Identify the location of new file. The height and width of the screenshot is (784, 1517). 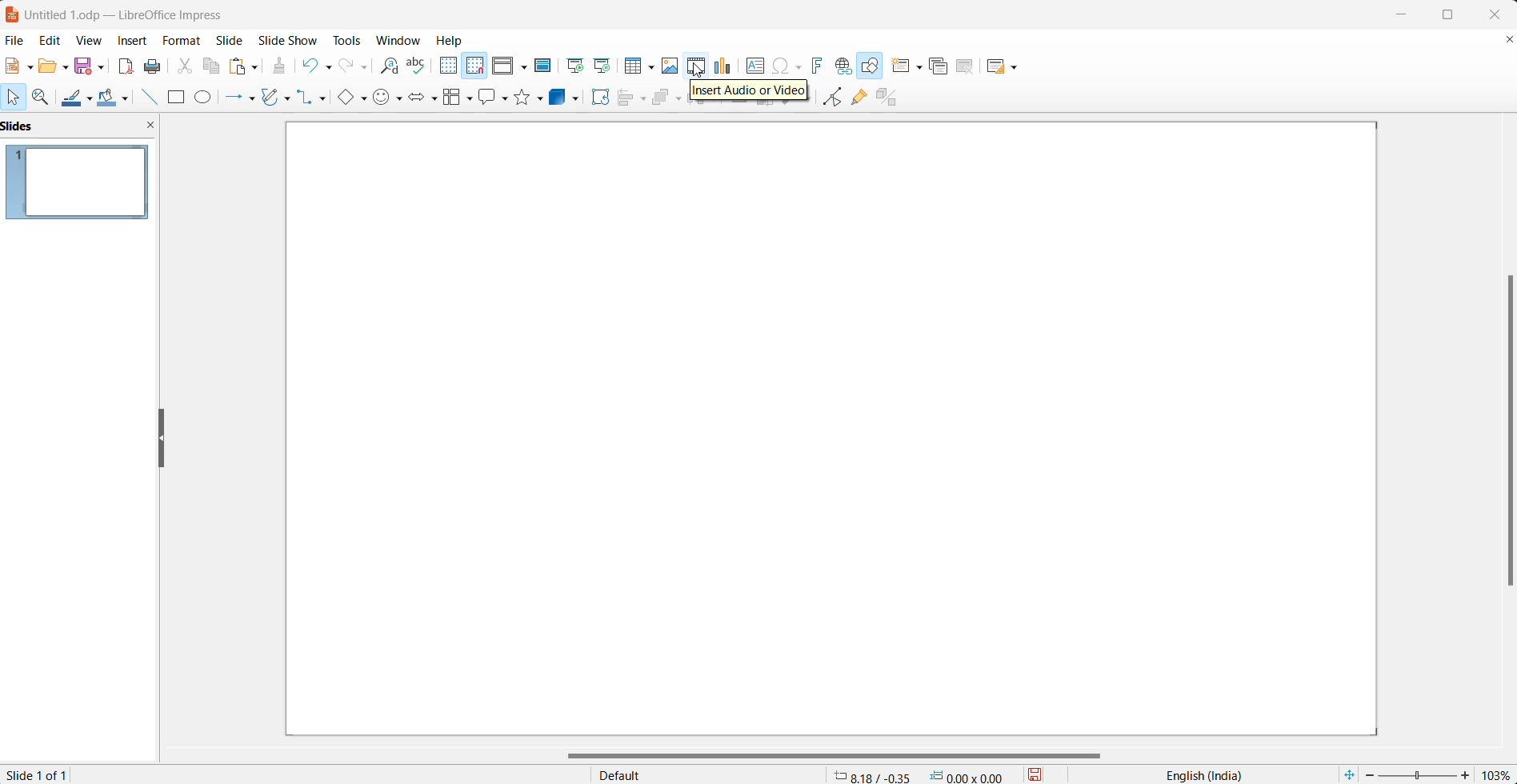
(12, 66).